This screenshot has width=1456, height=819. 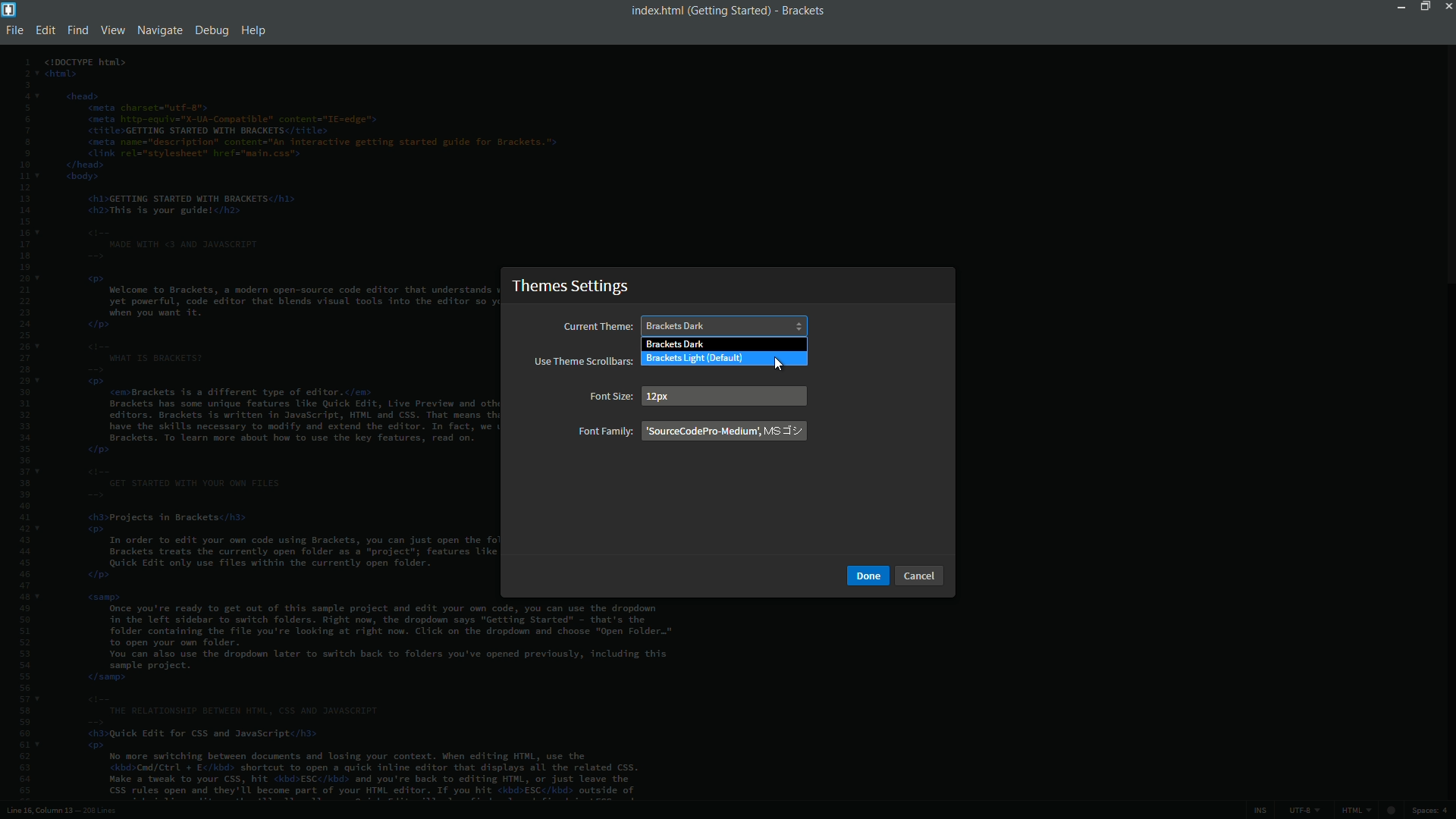 I want to click on view menu, so click(x=113, y=31).